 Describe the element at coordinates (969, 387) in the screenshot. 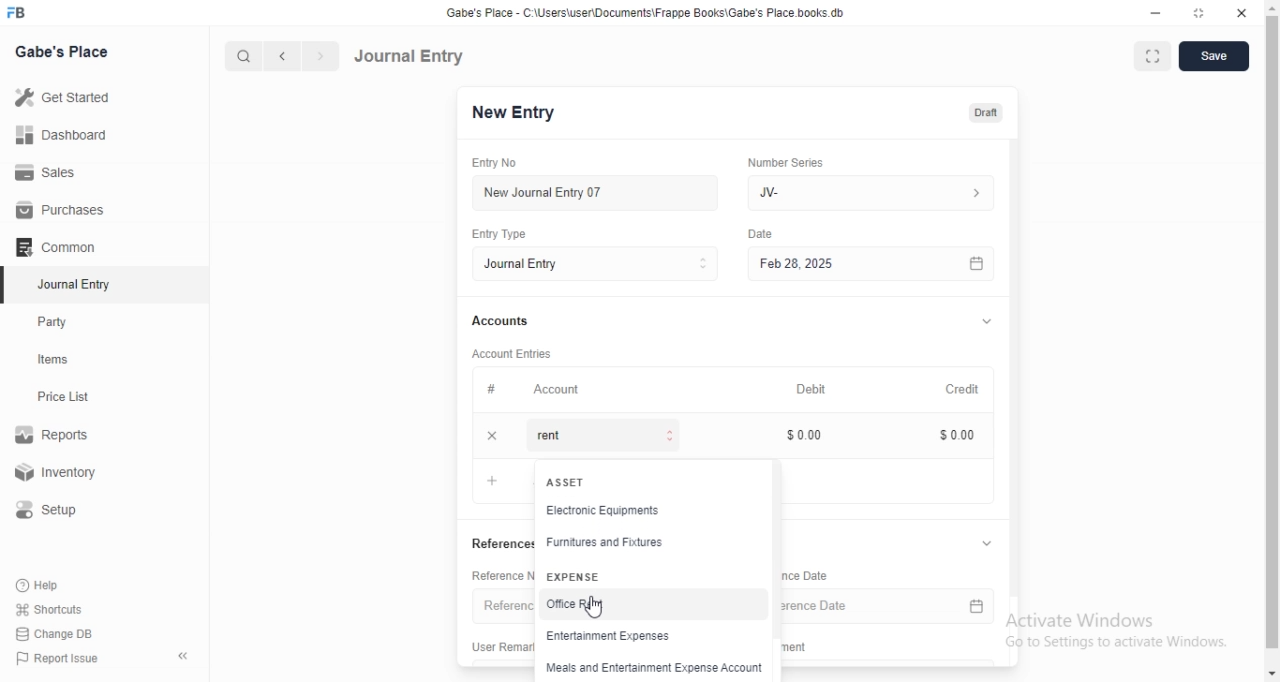

I see `Credit` at that location.